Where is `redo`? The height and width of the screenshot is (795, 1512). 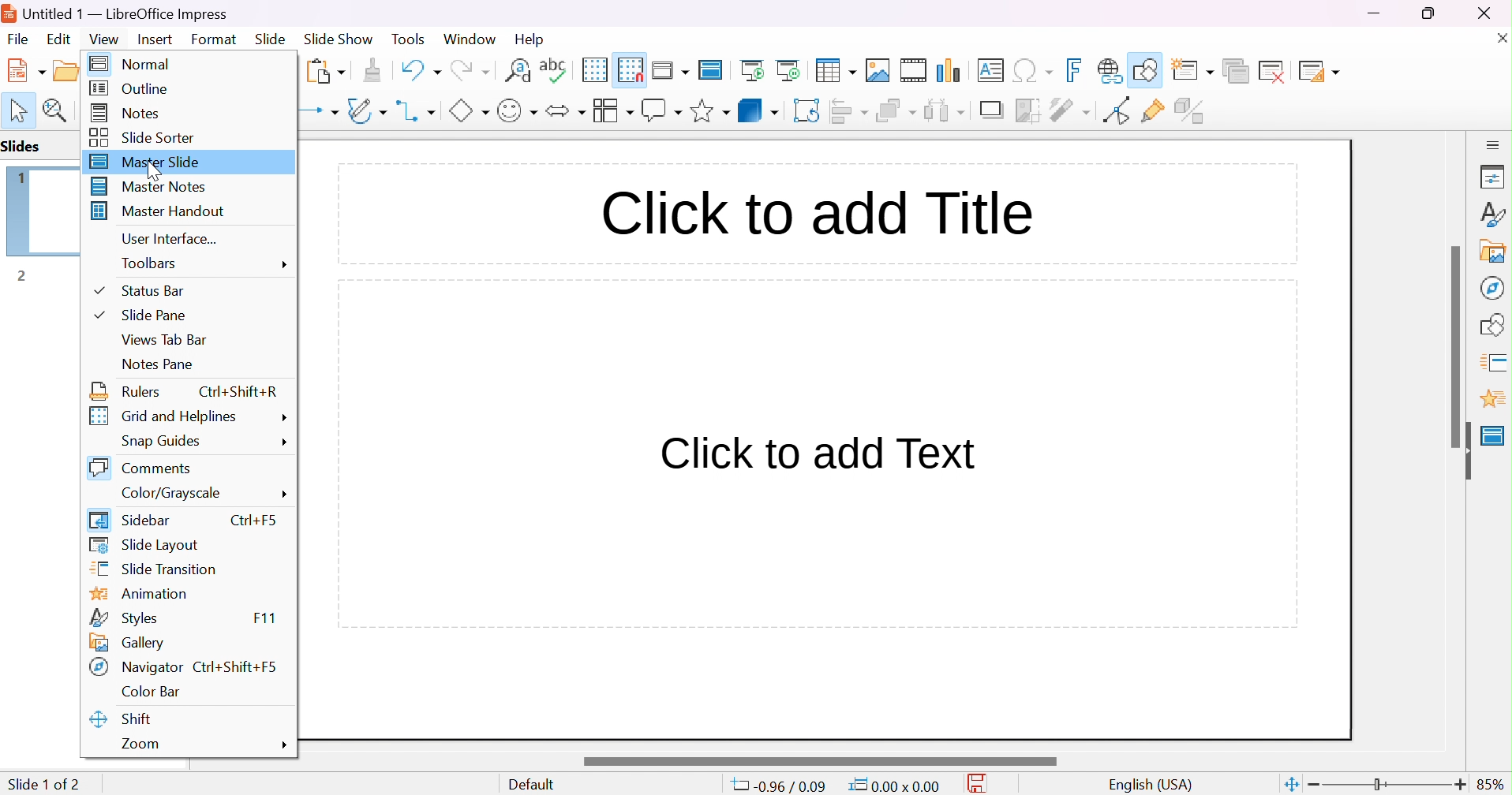 redo is located at coordinates (469, 68).